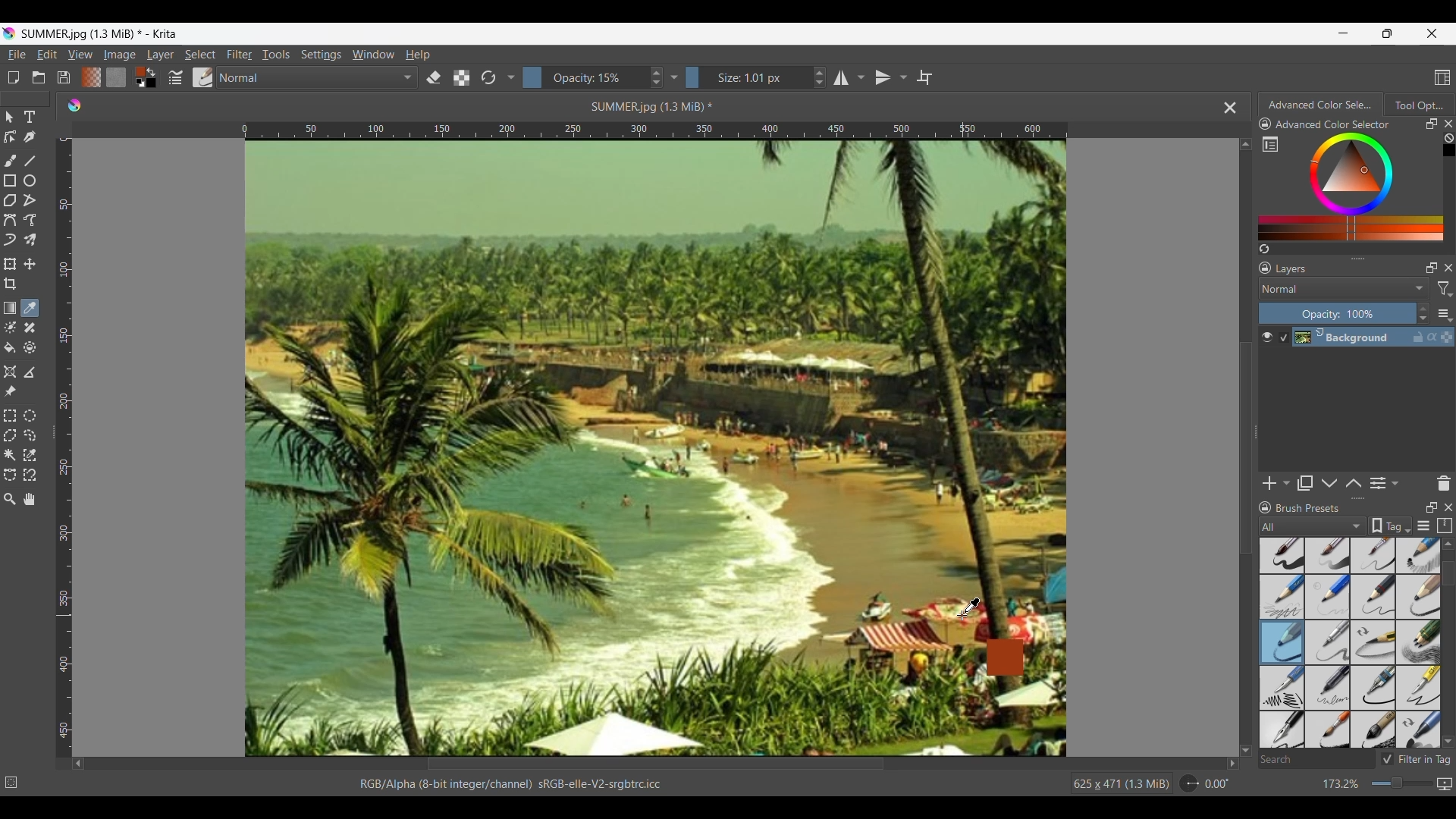  I want to click on Background color, so click(154, 84).